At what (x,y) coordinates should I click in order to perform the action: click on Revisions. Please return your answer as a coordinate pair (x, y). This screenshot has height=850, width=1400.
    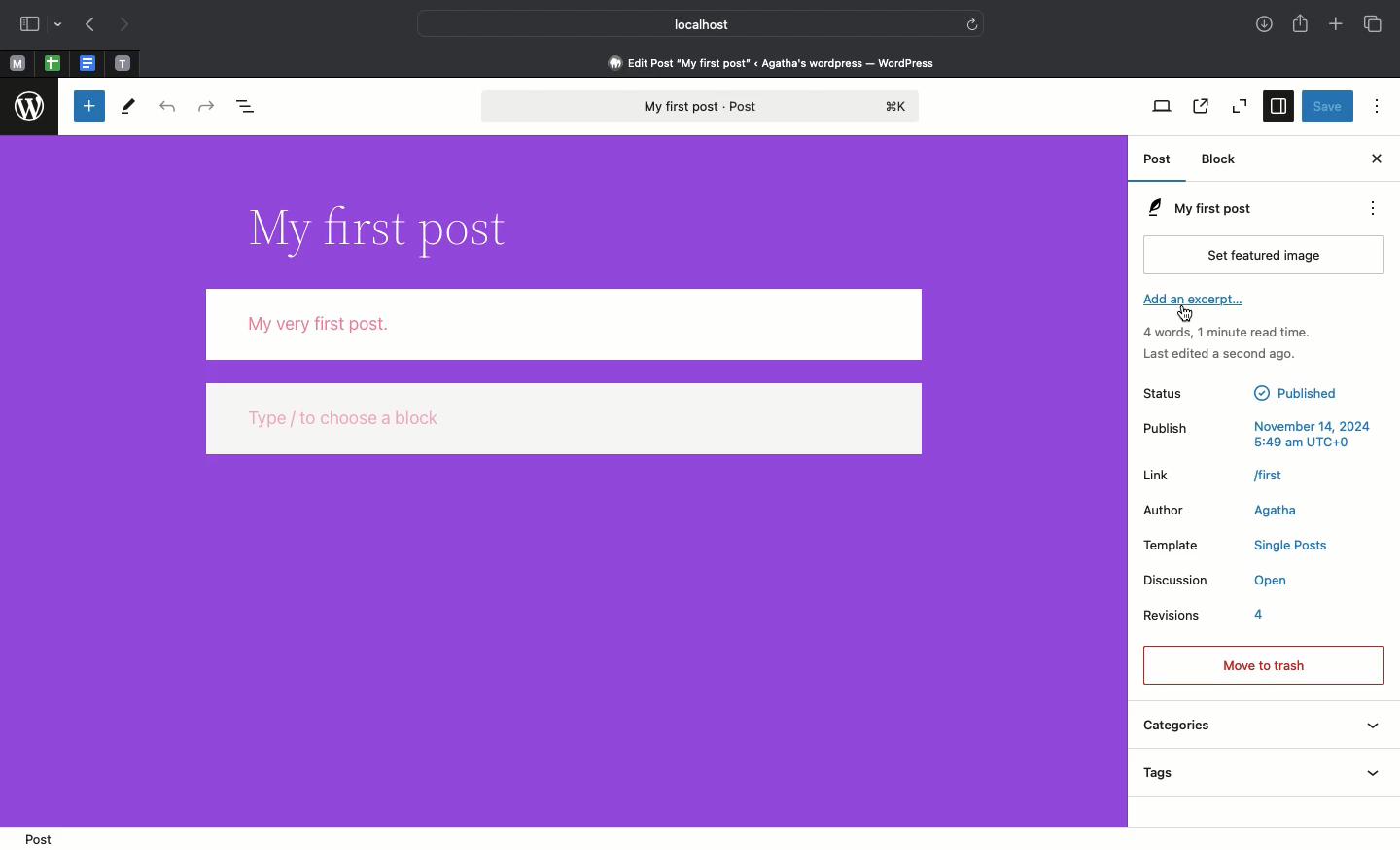
    Looking at the image, I should click on (1207, 619).